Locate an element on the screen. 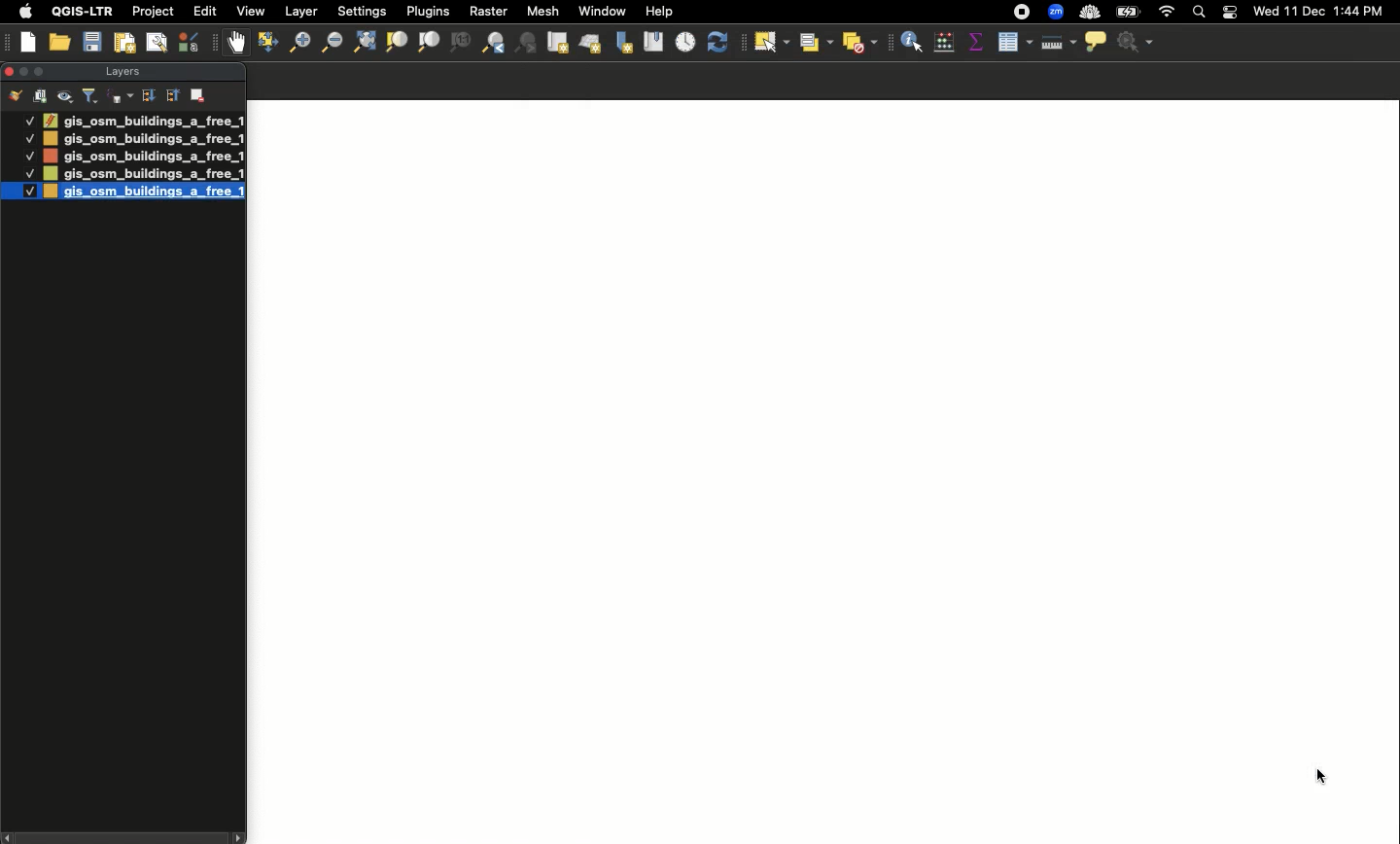 This screenshot has width=1400, height=844. Refresh is located at coordinates (721, 43).